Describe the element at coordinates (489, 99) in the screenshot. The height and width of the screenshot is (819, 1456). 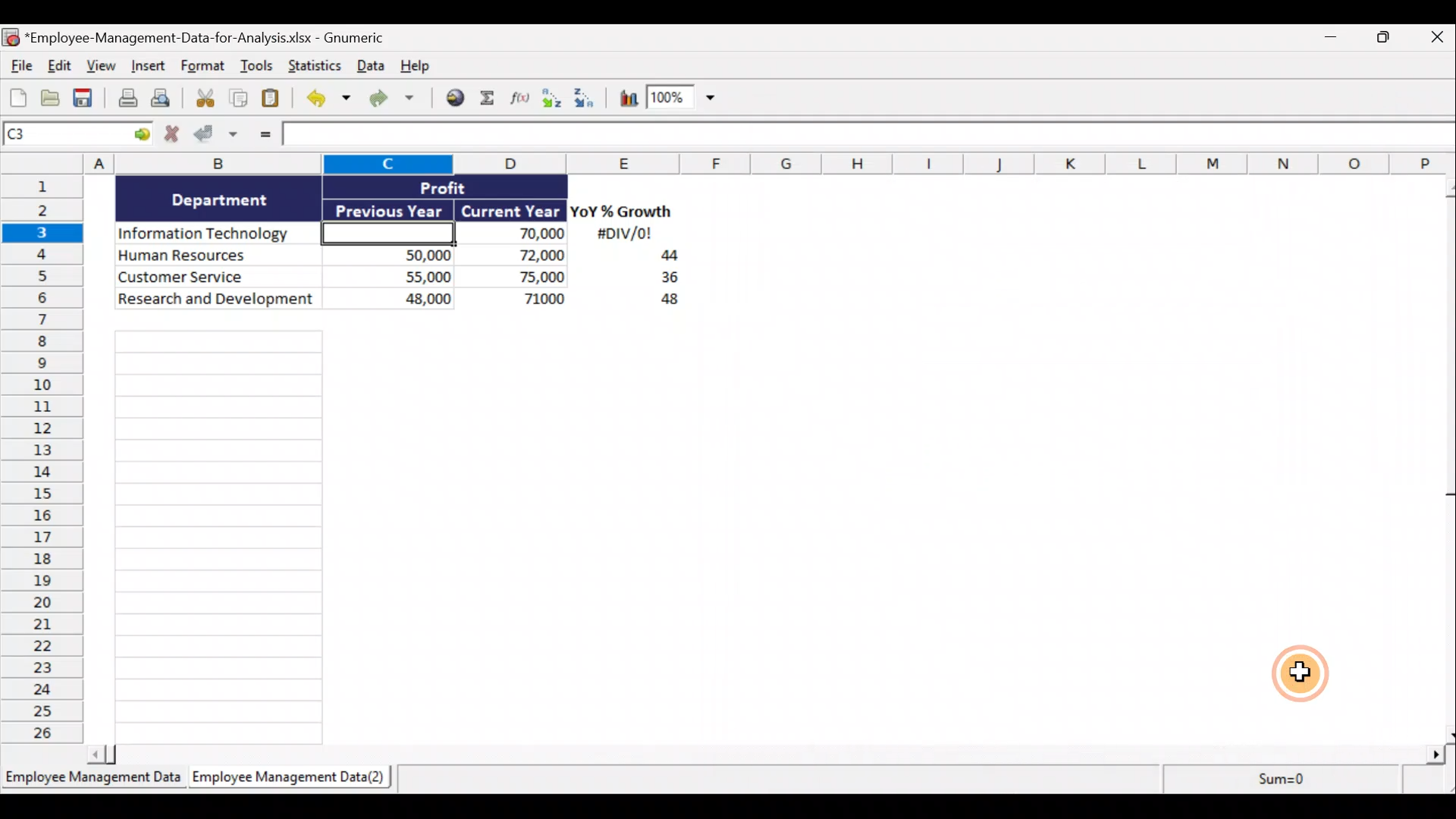
I see `Sum into the current cell` at that location.